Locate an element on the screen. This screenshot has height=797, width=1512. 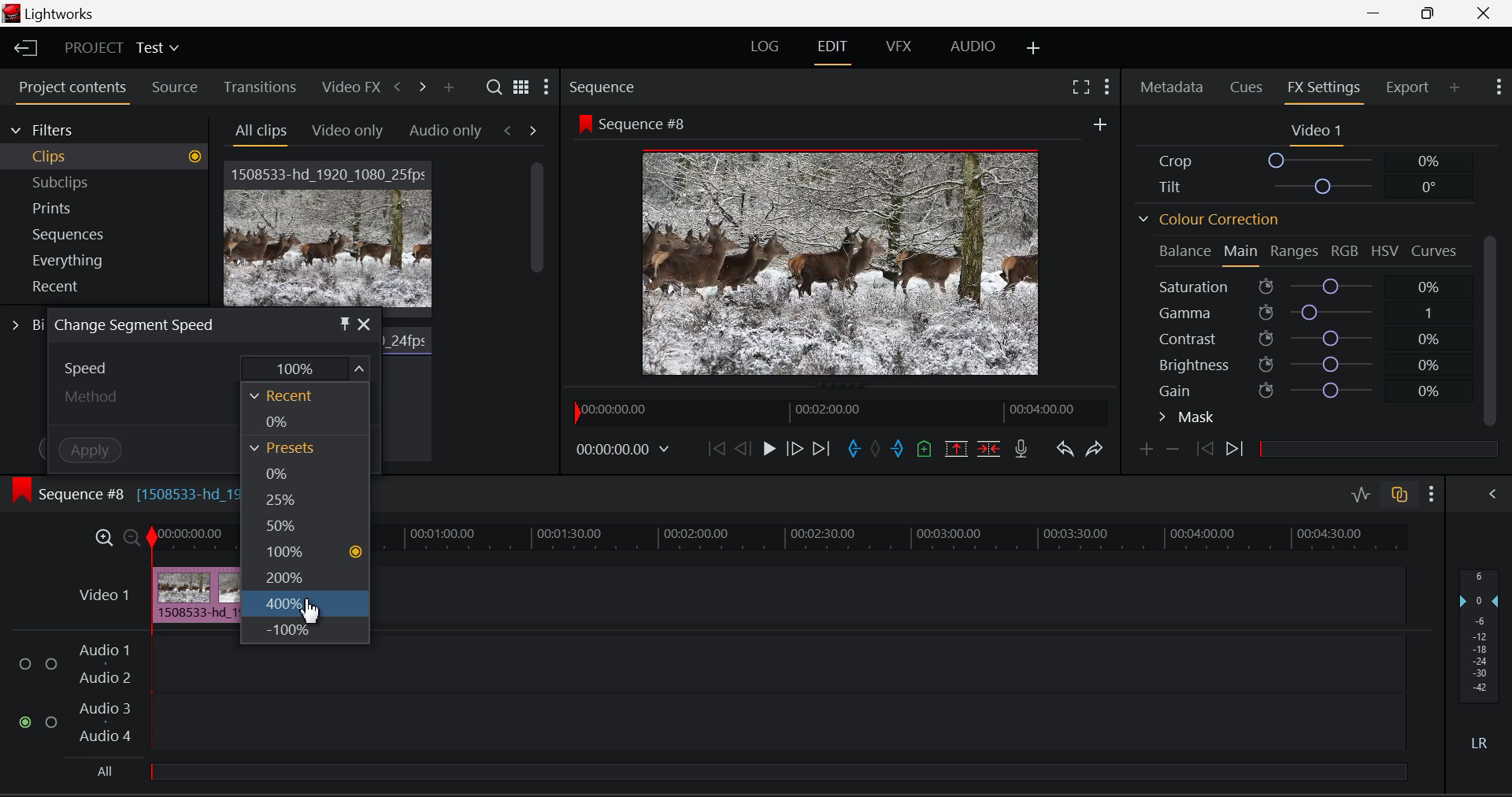
Audio 3 is located at coordinates (106, 710).